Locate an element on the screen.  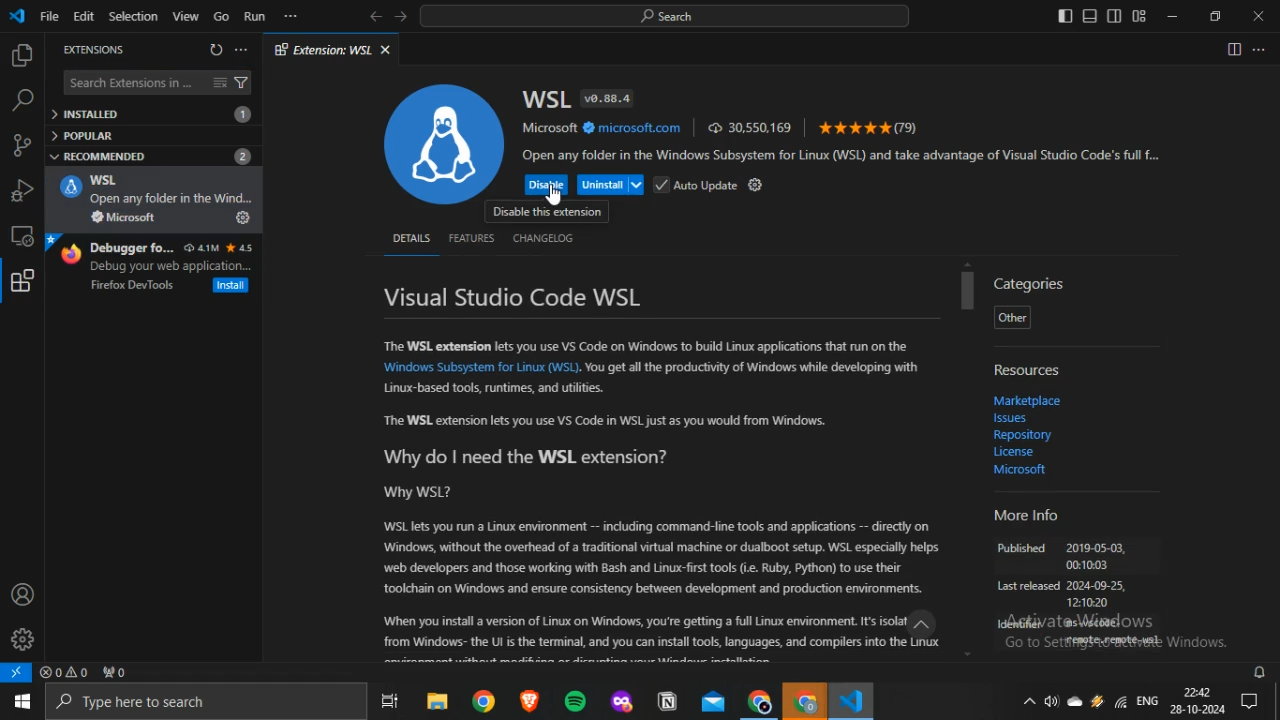
notifications is located at coordinates (1261, 672).